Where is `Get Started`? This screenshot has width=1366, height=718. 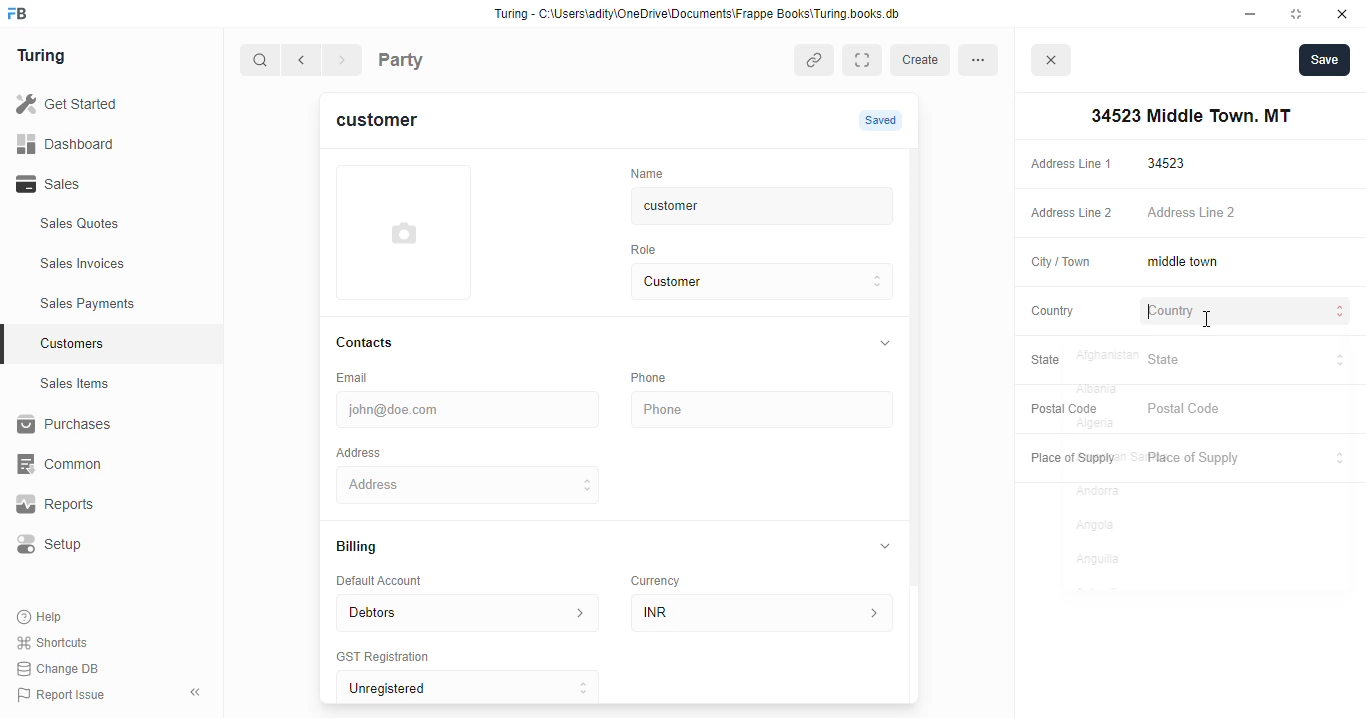
Get Started is located at coordinates (93, 105).